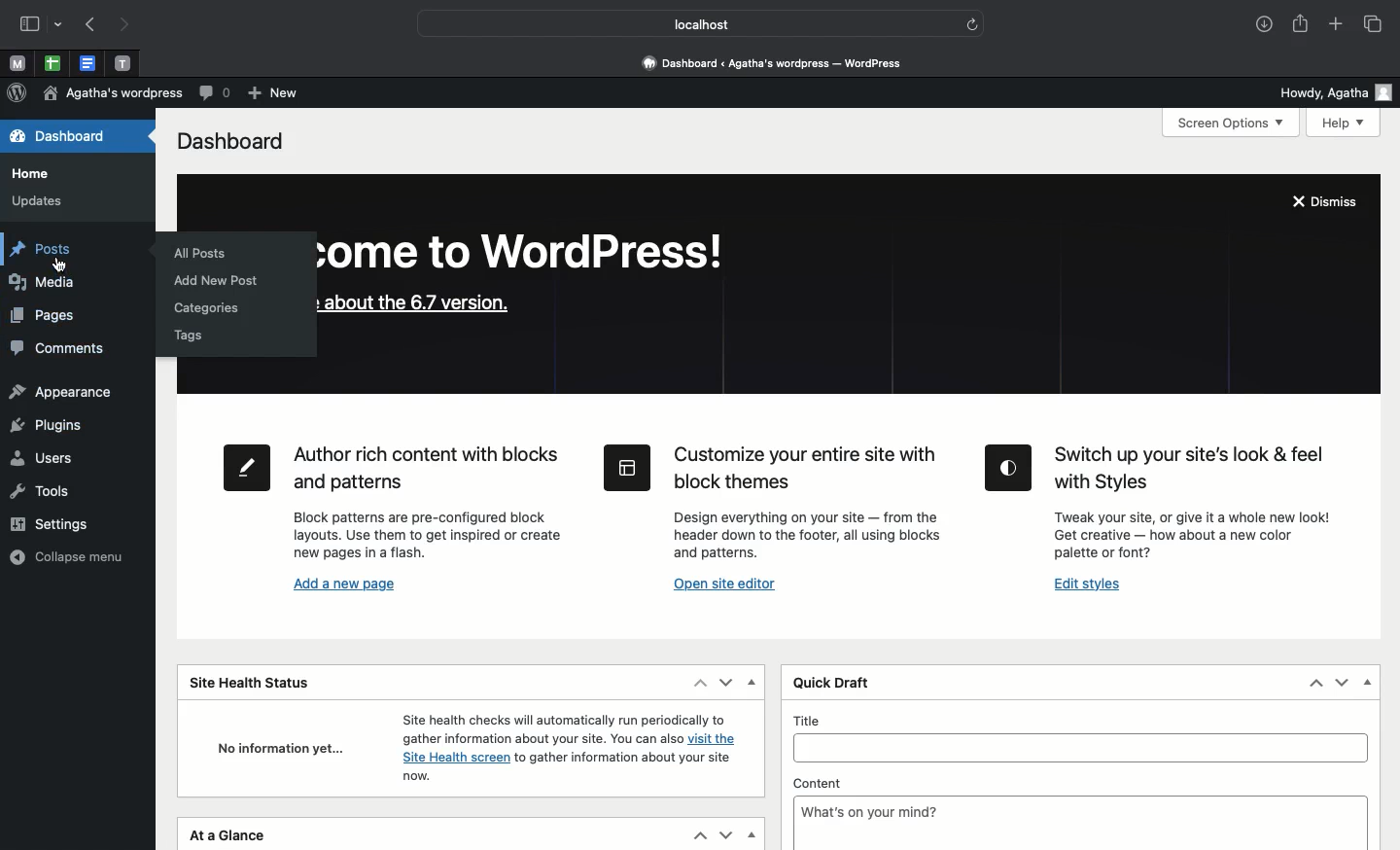 This screenshot has width=1400, height=850. I want to click on spread sheet, so click(52, 63).